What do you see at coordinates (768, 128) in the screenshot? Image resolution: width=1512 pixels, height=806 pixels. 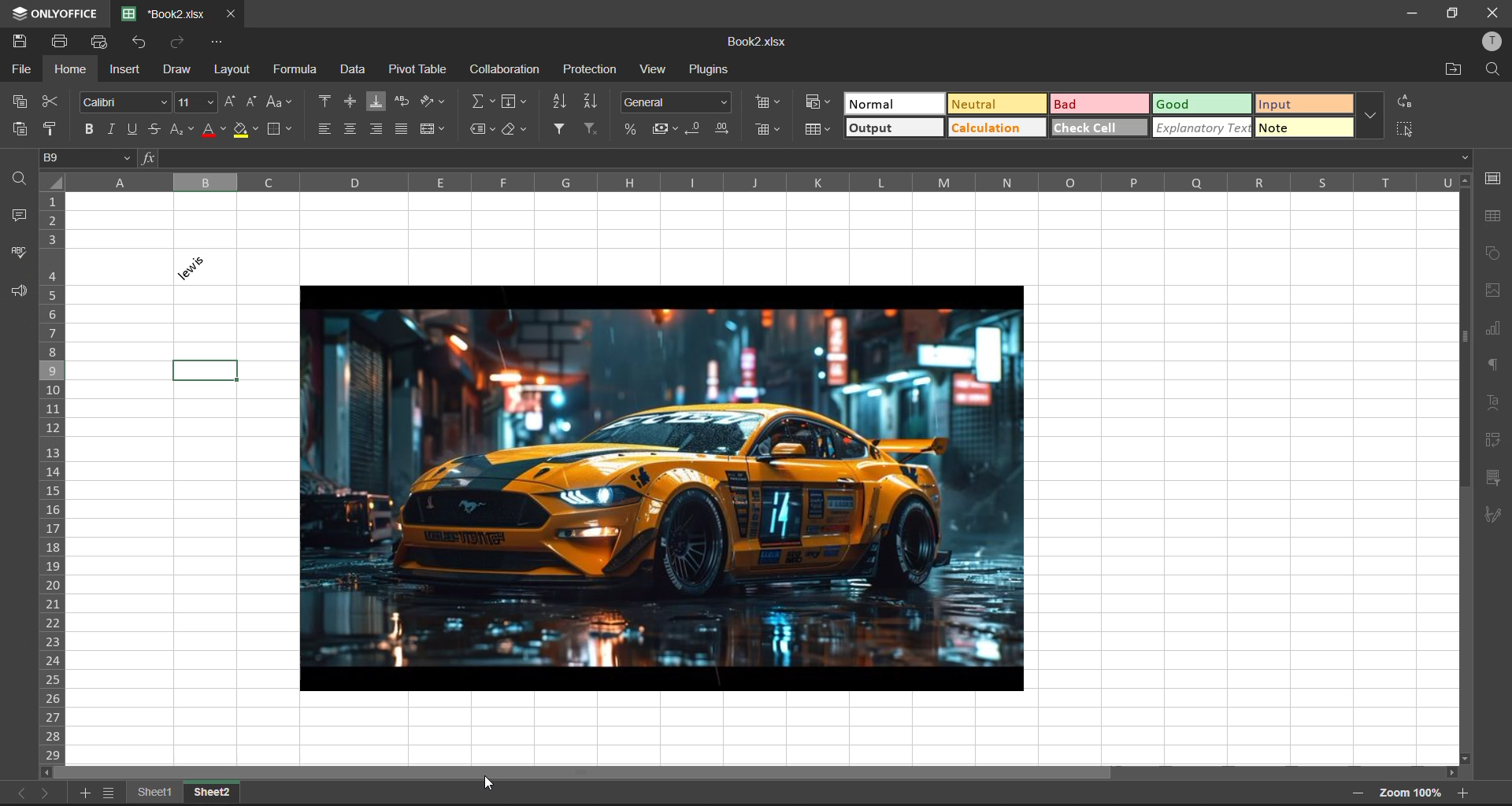 I see `delete cells` at bounding box center [768, 128].